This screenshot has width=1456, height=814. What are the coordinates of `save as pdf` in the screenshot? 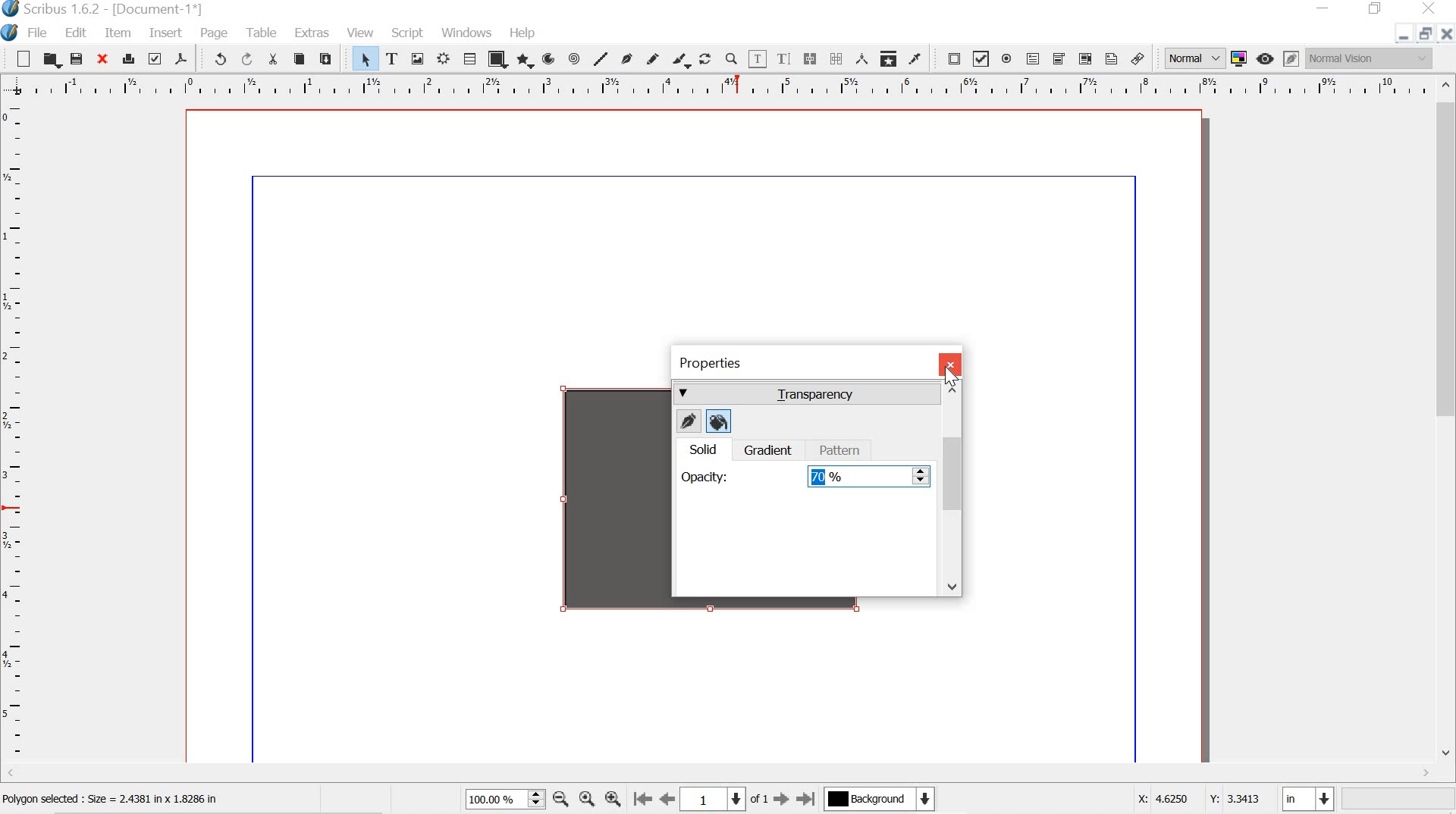 It's located at (181, 59).